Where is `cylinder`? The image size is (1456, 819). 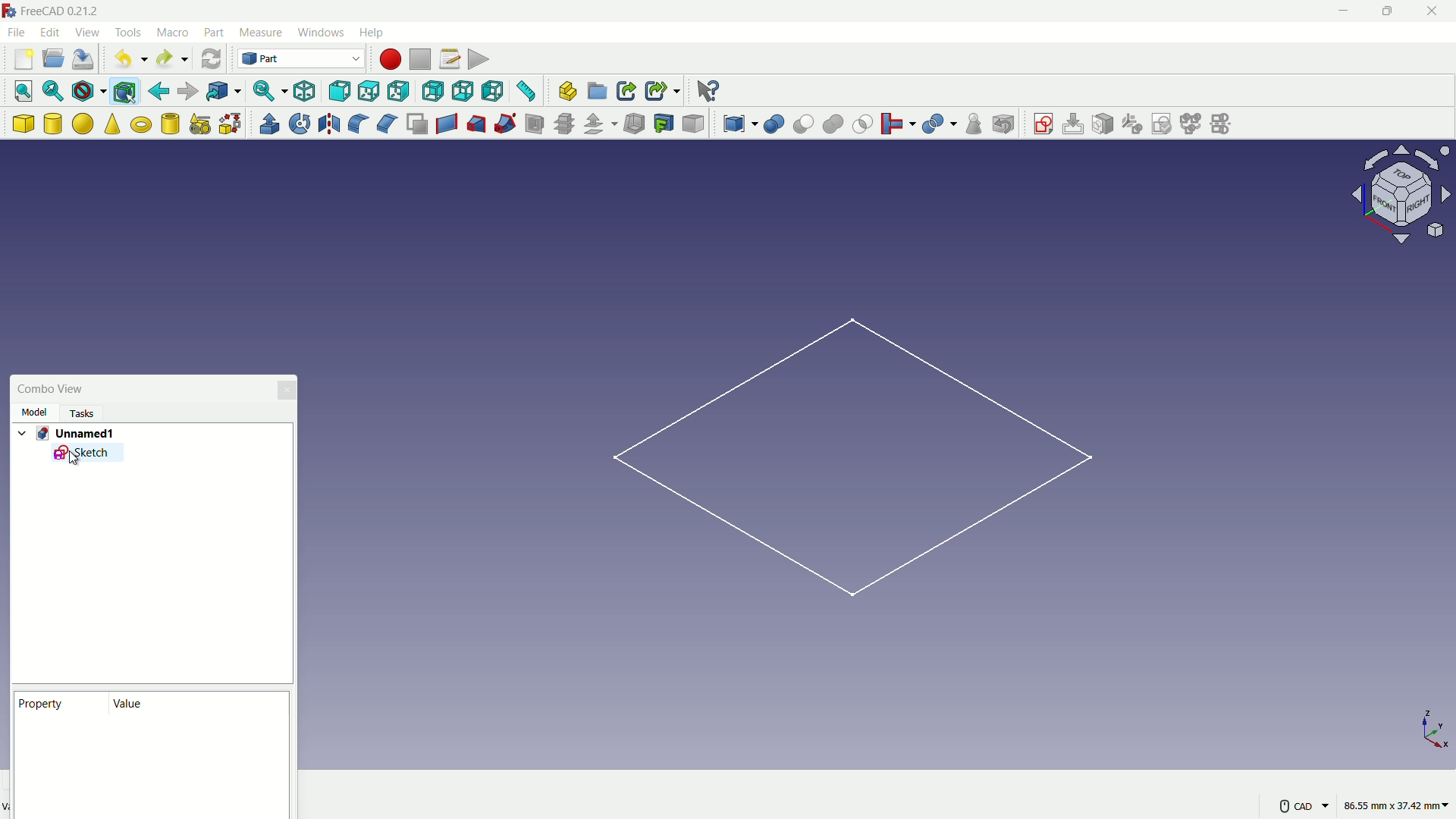 cylinder is located at coordinates (53, 124).